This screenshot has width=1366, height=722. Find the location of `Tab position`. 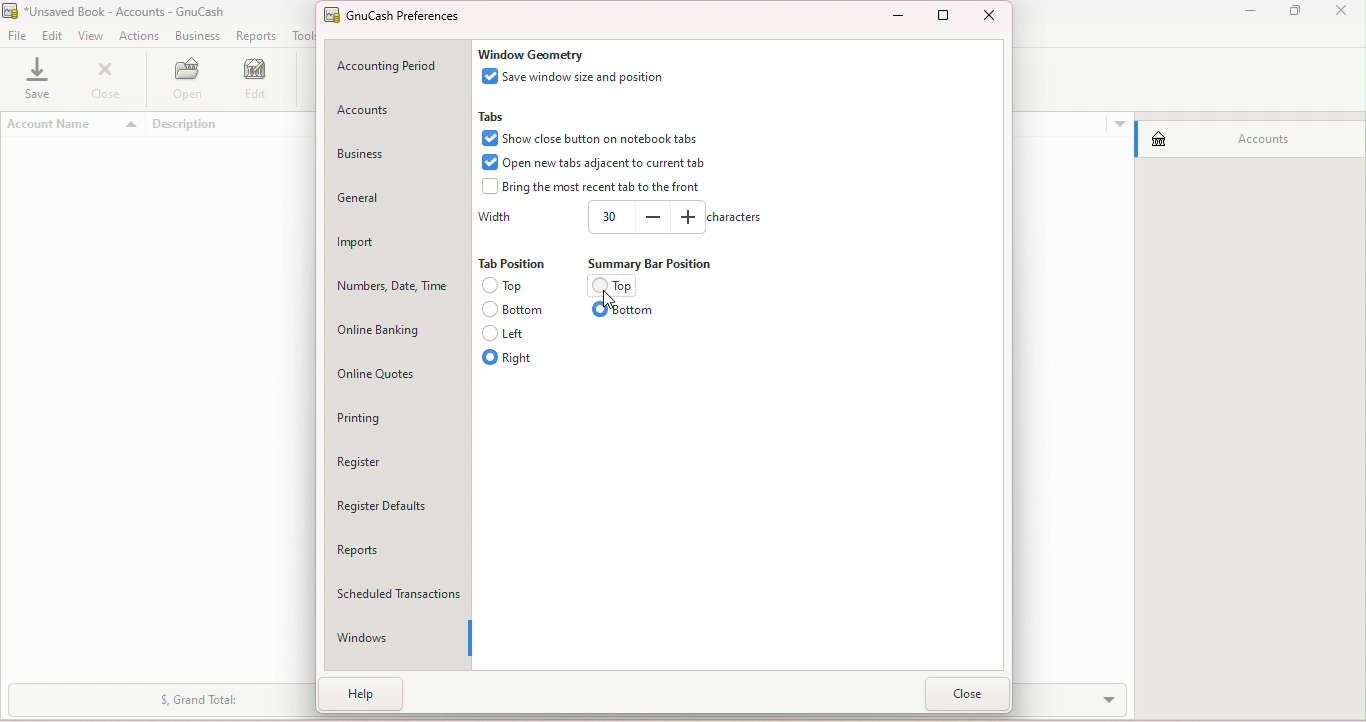

Tab position is located at coordinates (518, 265).